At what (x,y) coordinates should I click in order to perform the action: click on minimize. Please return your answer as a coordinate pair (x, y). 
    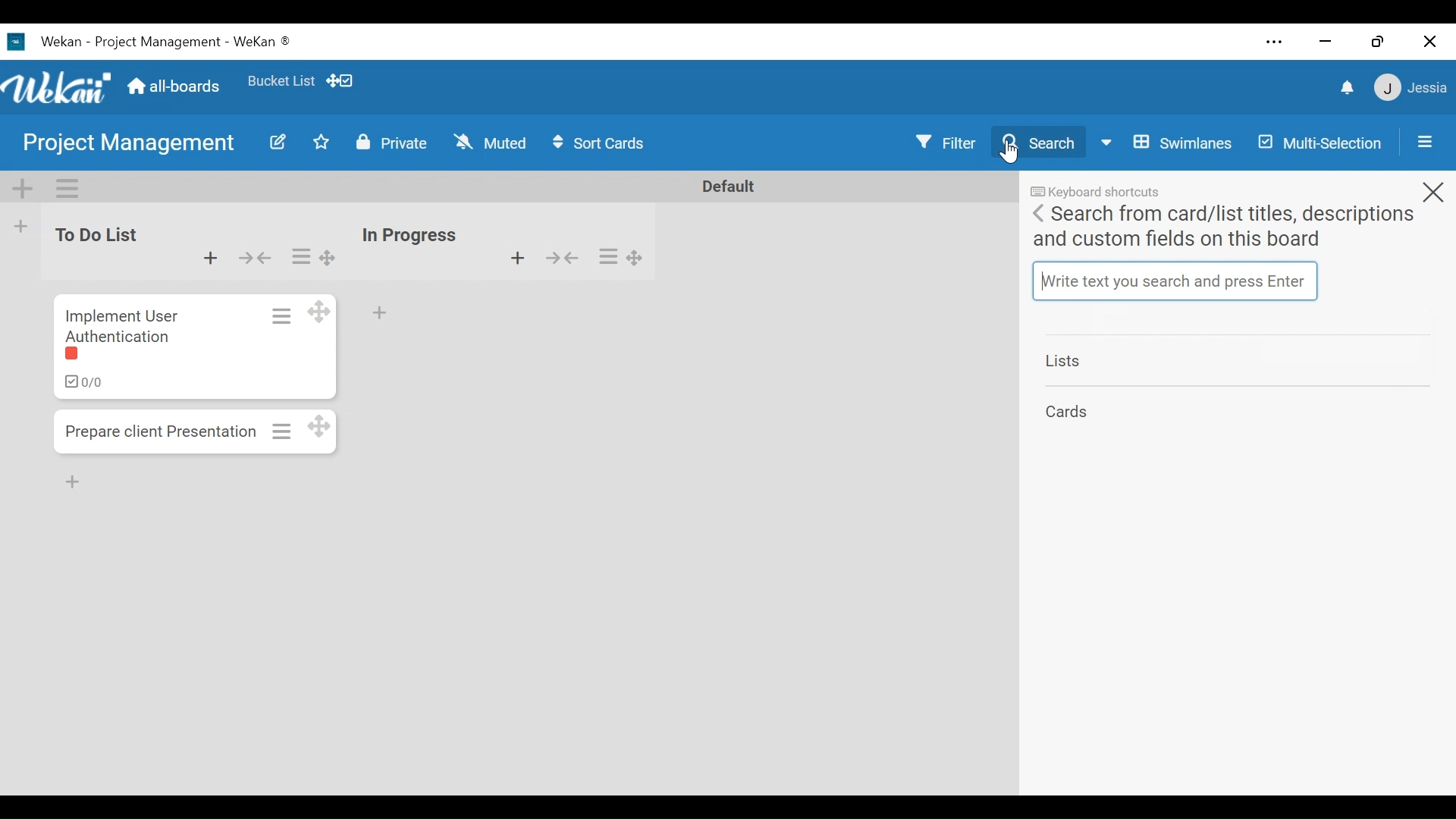
    Looking at the image, I should click on (1328, 42).